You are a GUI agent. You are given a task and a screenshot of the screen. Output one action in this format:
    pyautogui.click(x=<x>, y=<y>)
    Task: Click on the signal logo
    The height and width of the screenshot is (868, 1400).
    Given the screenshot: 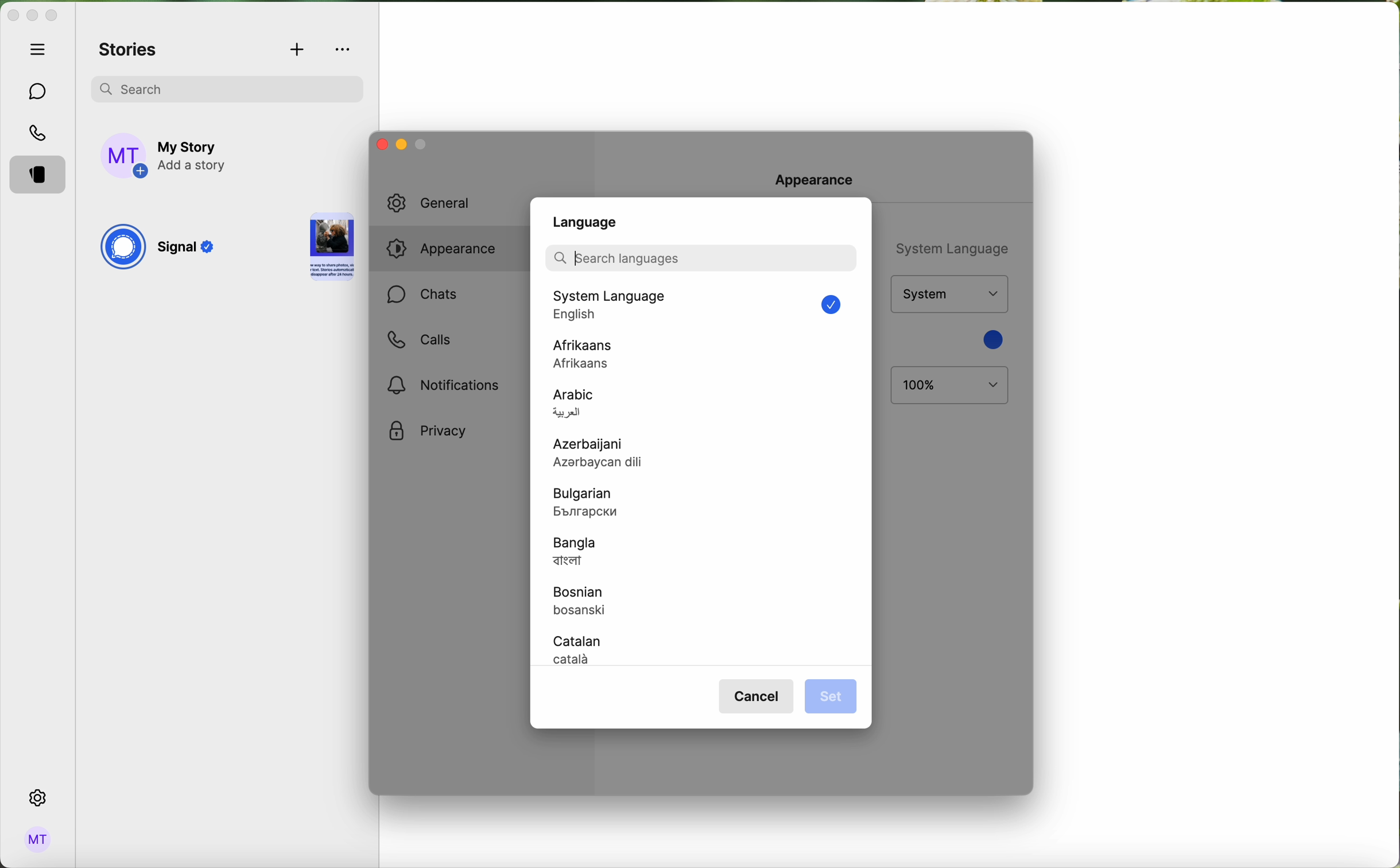 What is the action you would take?
    pyautogui.click(x=122, y=249)
    